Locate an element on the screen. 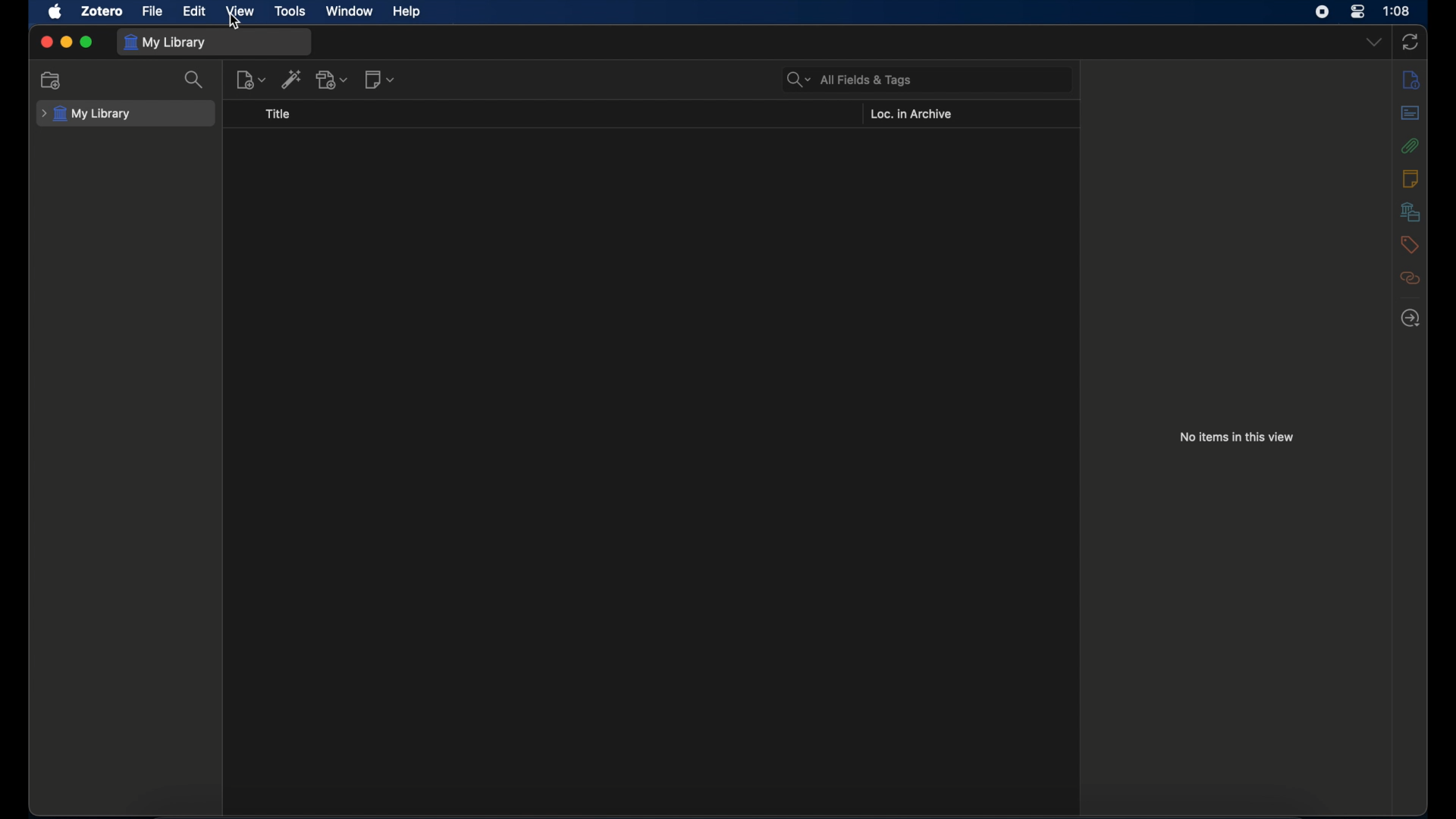 This screenshot has width=1456, height=819. info is located at coordinates (1411, 80).